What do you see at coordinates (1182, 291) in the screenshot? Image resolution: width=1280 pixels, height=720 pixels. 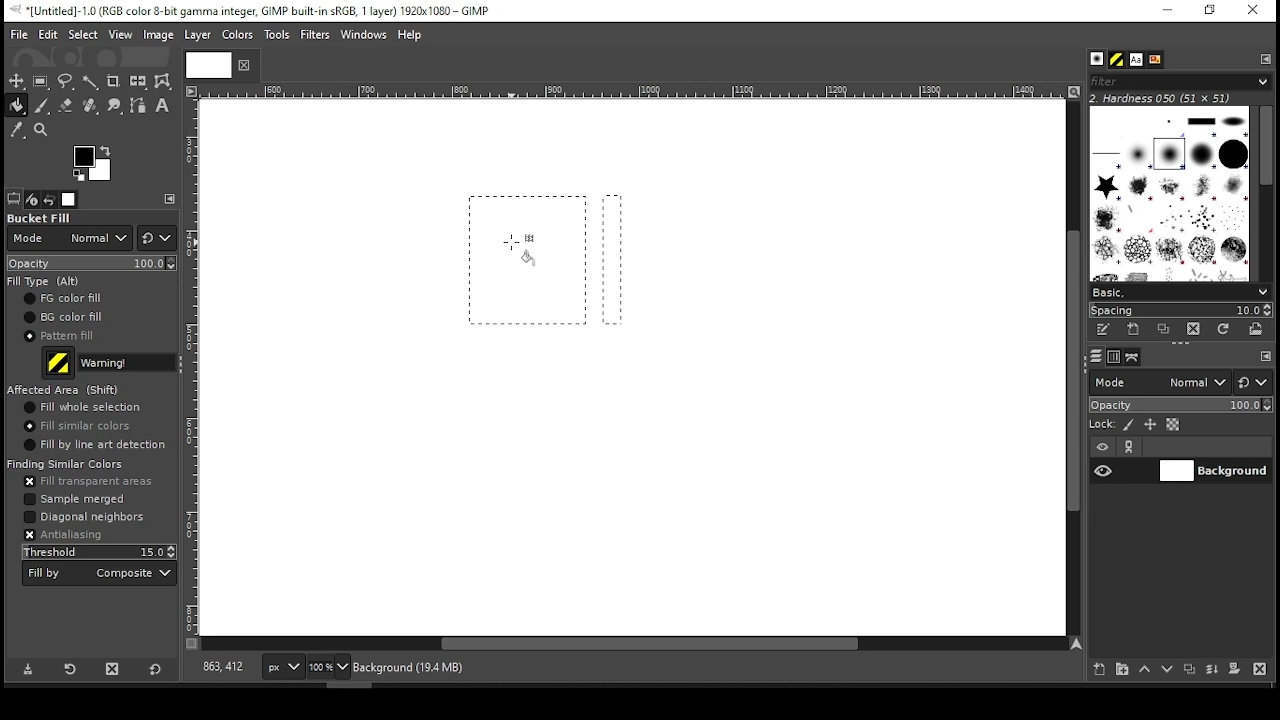 I see `select brush preset` at bounding box center [1182, 291].